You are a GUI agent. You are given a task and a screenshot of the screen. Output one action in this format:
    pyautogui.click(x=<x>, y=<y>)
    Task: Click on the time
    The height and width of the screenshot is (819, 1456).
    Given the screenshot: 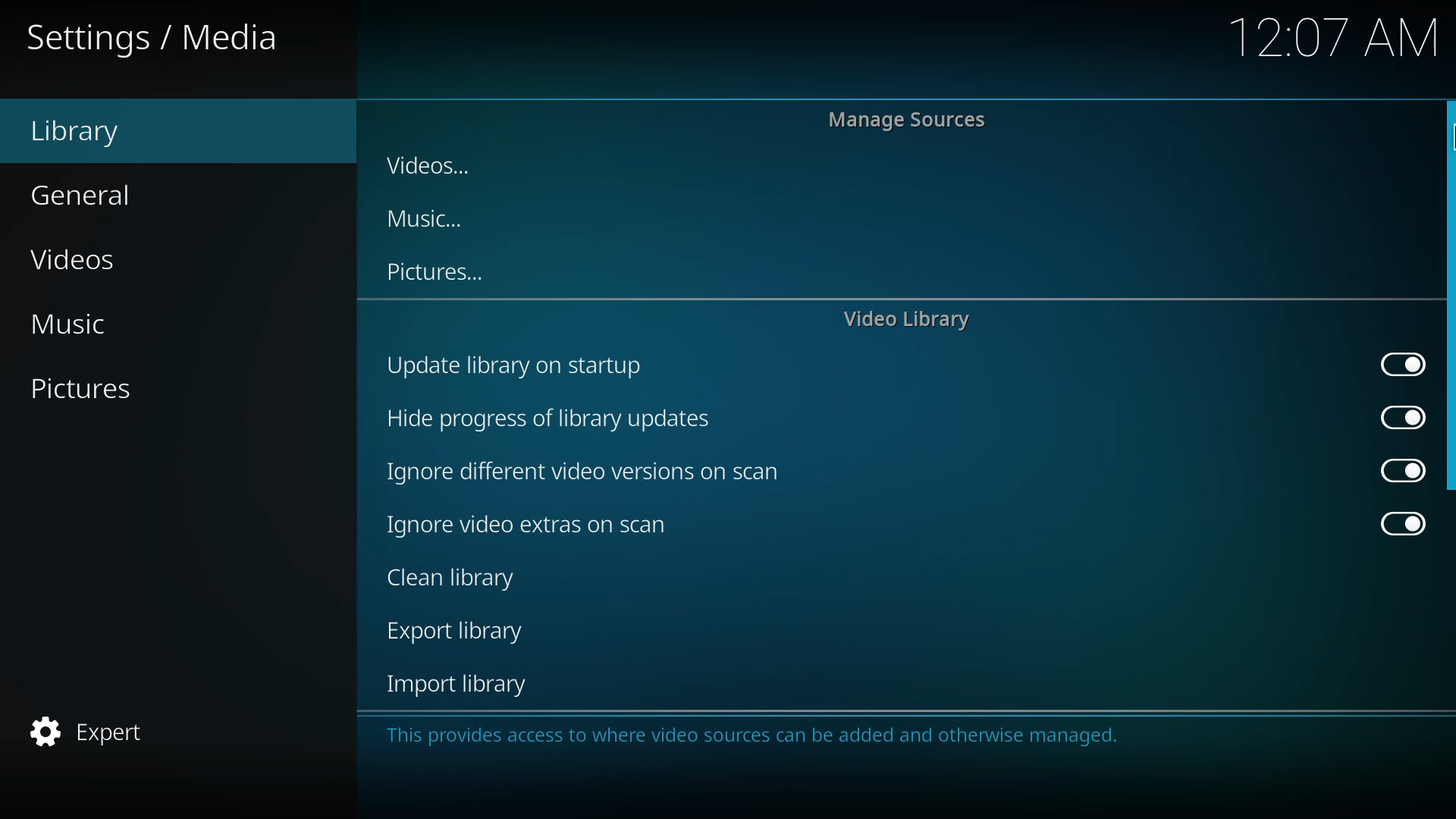 What is the action you would take?
    pyautogui.click(x=1336, y=36)
    